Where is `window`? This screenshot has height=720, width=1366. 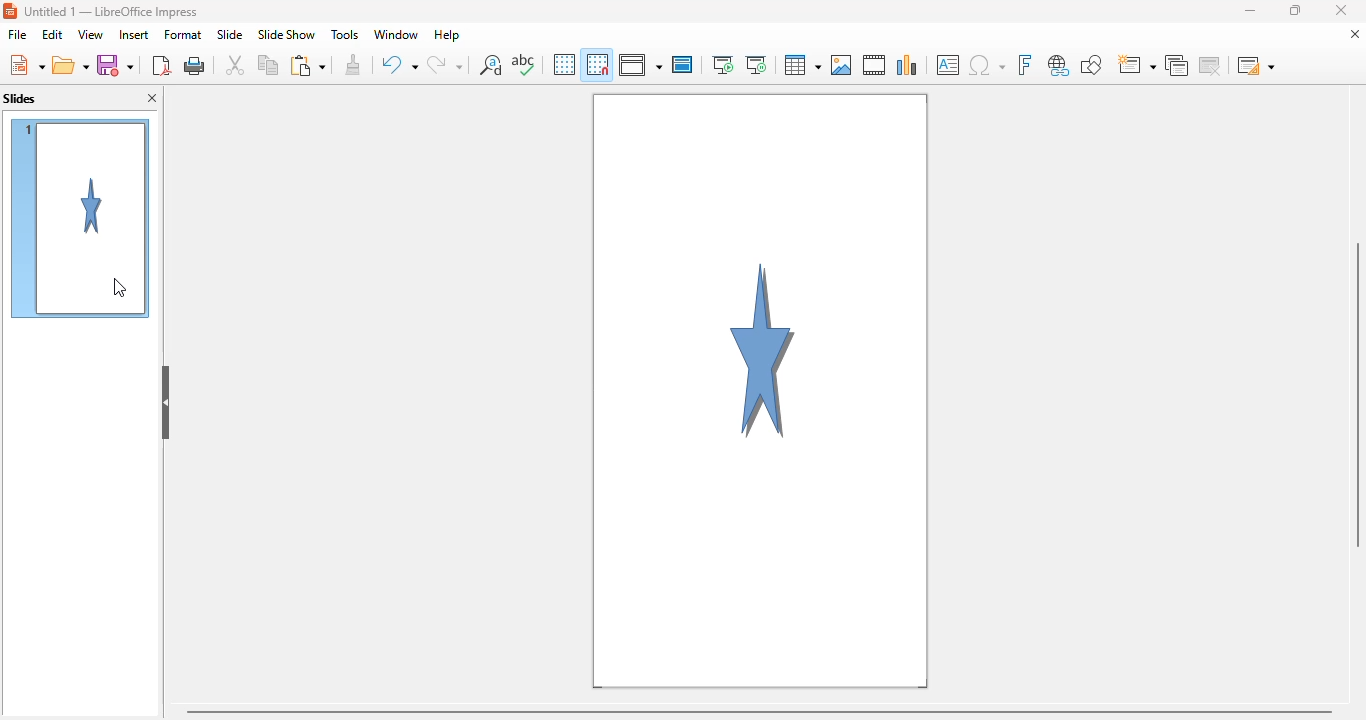
window is located at coordinates (394, 35).